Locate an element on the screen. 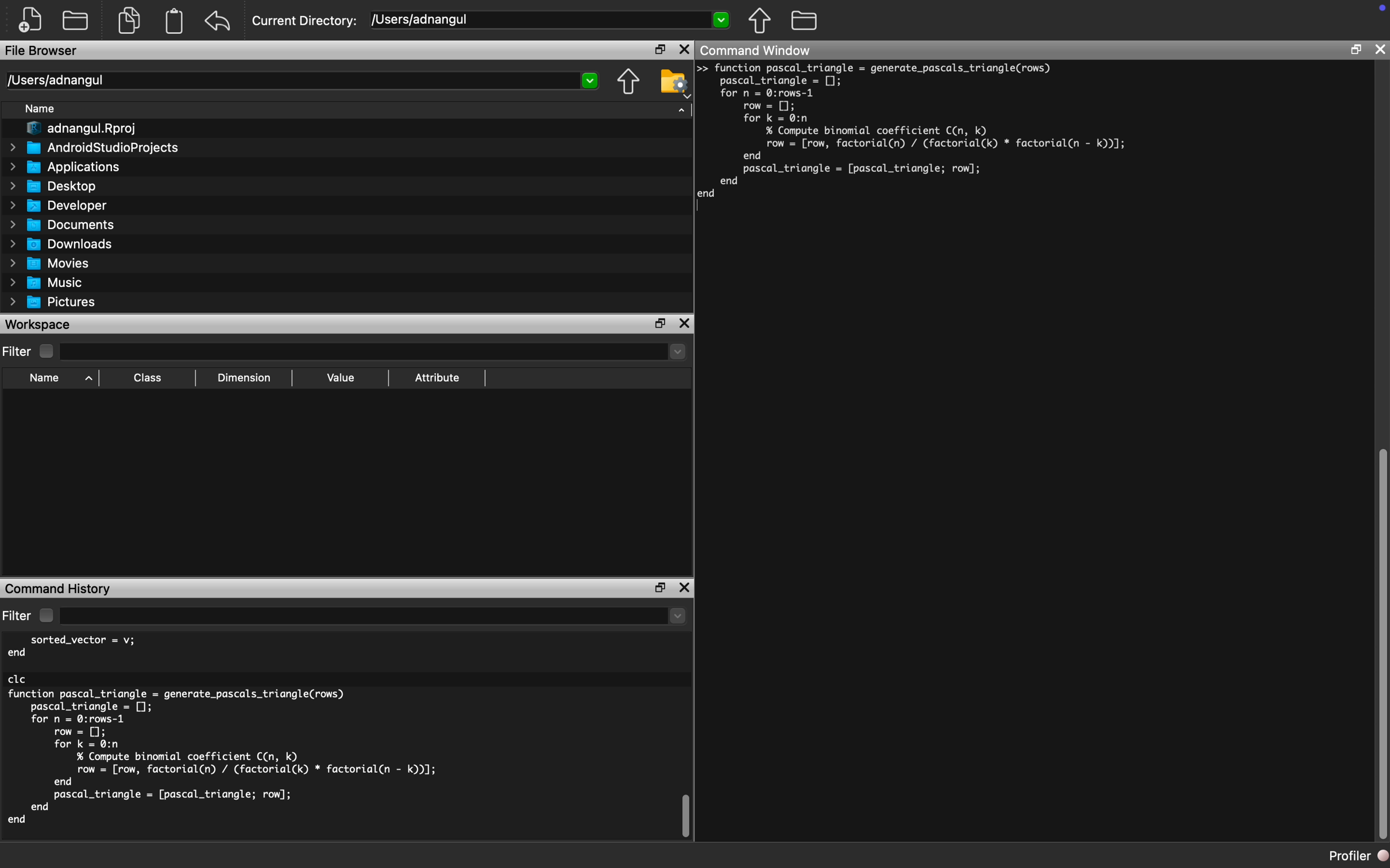 The height and width of the screenshot is (868, 1390). Folder is located at coordinates (804, 21).